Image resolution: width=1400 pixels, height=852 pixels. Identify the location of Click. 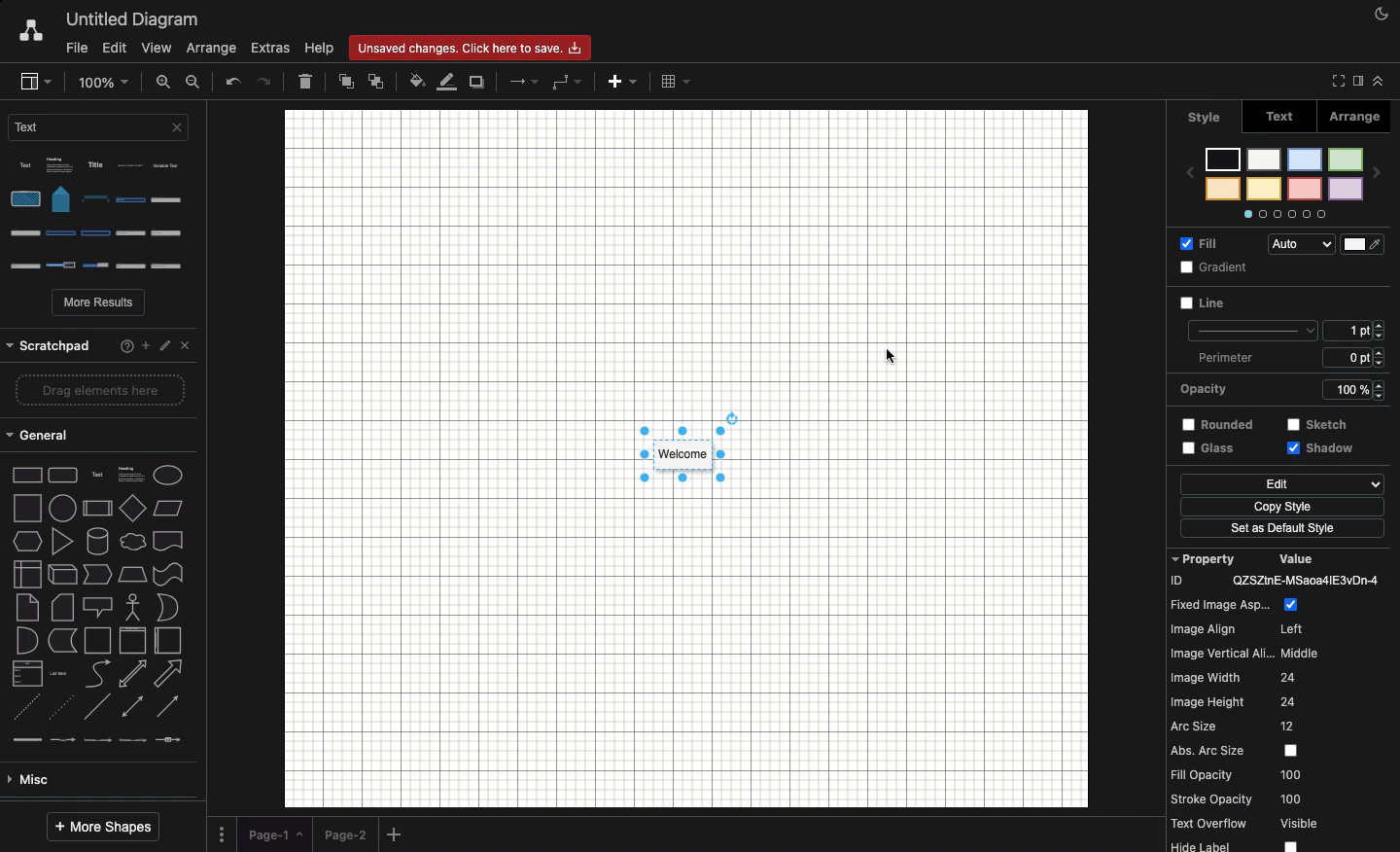
(1323, 455).